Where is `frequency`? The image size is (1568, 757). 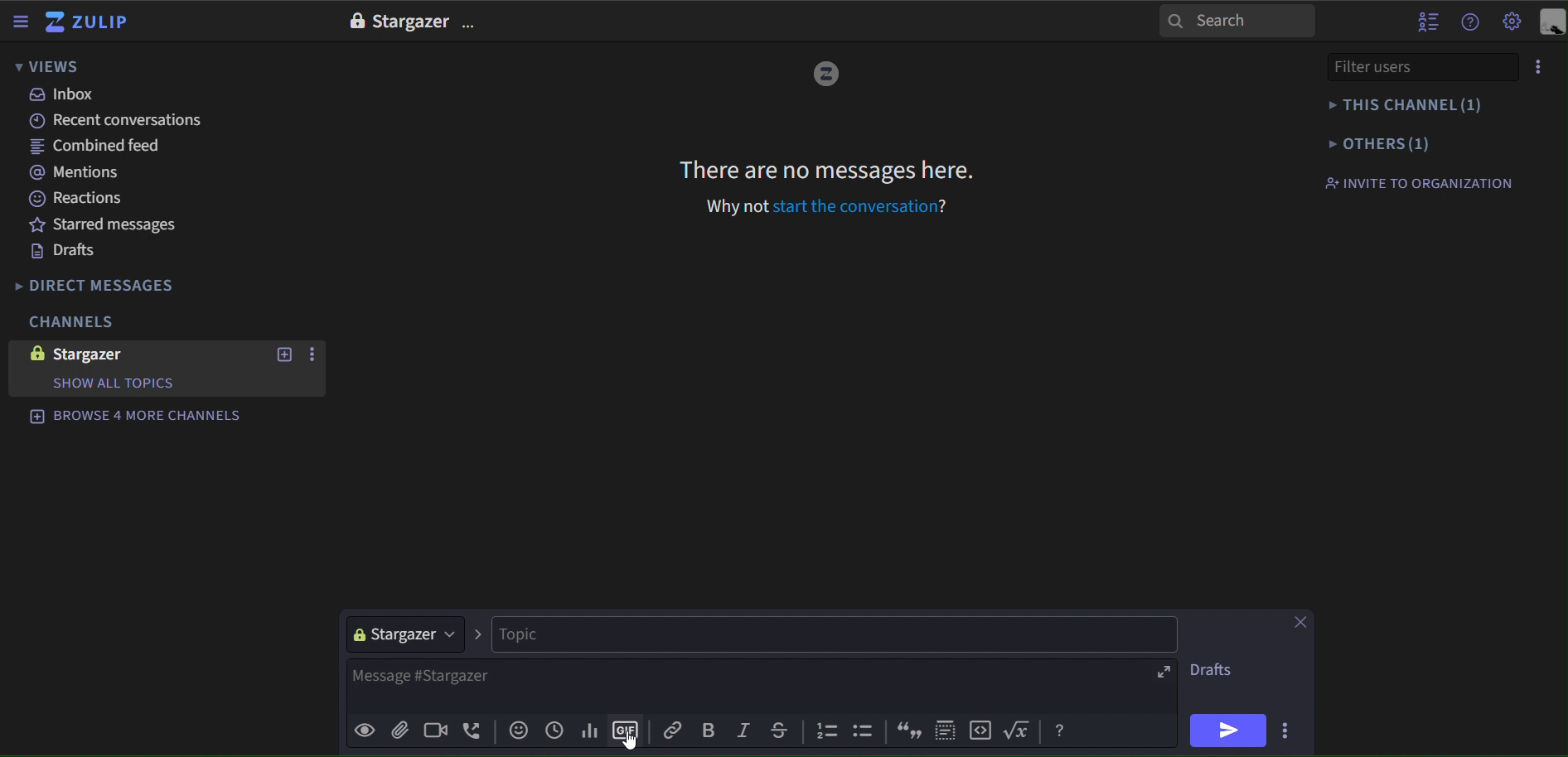 frequency is located at coordinates (588, 728).